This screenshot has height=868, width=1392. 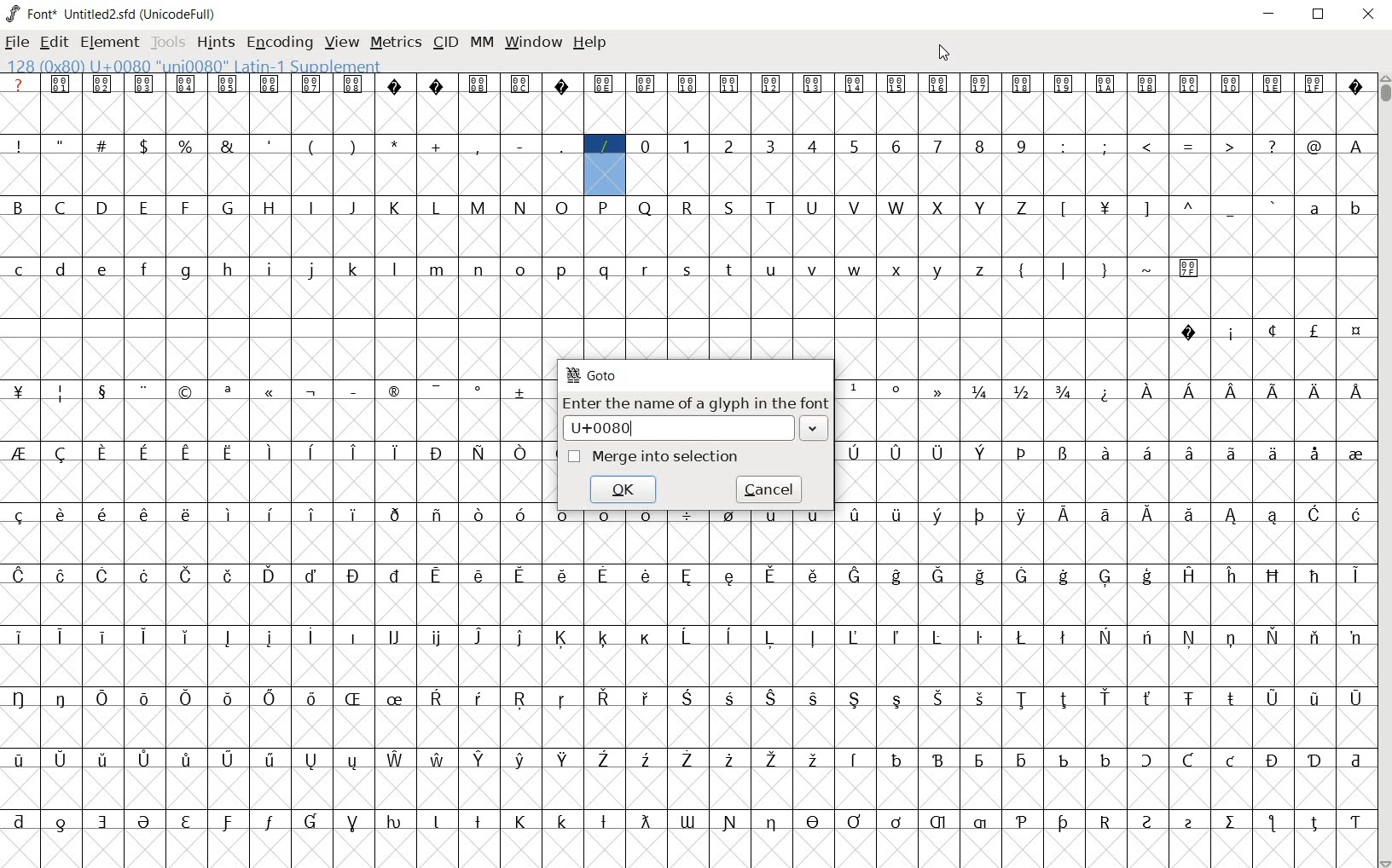 I want to click on glyph, so click(x=980, y=516).